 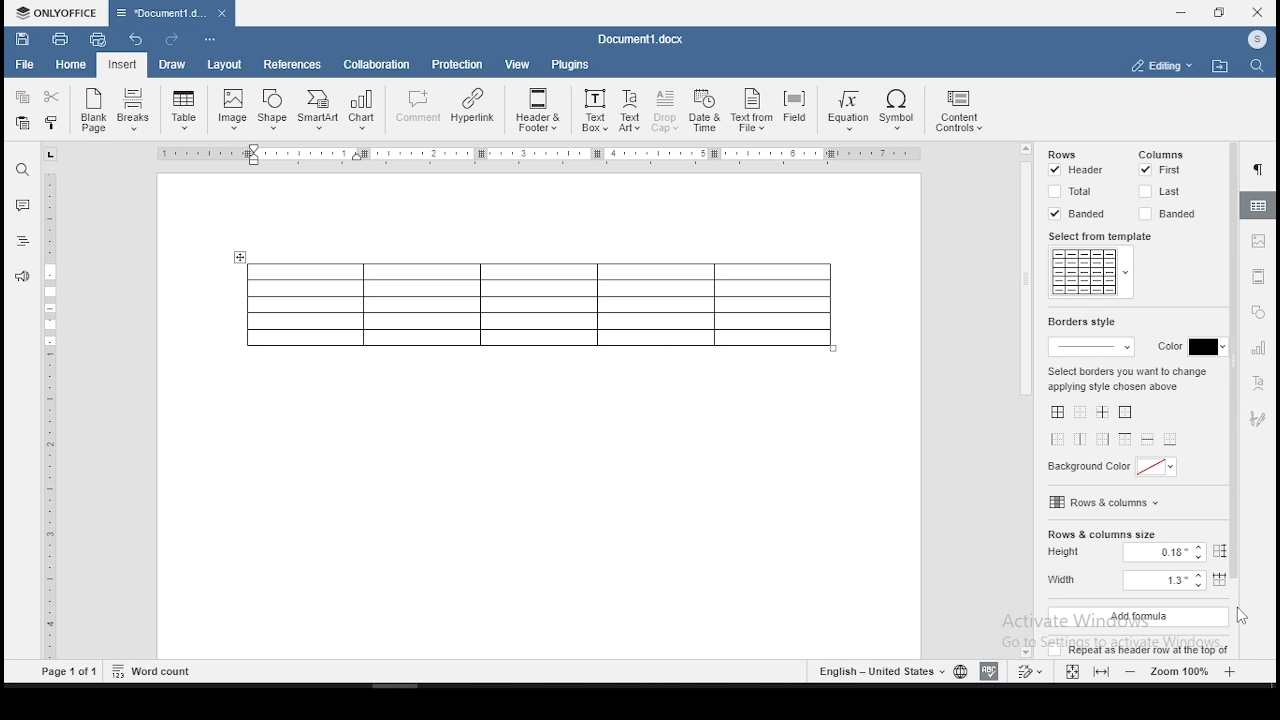 I want to click on copy, so click(x=23, y=97).